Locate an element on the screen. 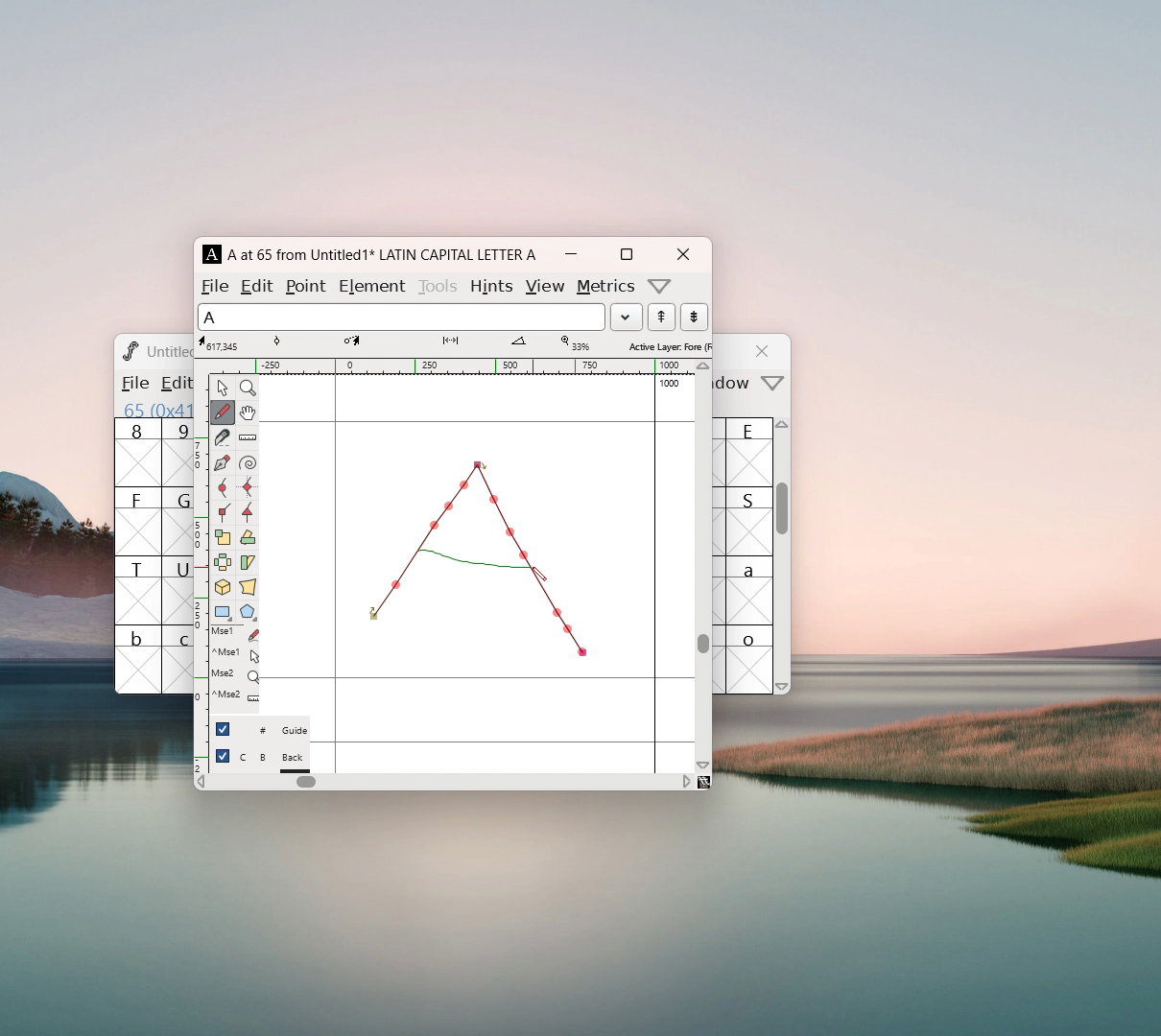  element is located at coordinates (371, 284).